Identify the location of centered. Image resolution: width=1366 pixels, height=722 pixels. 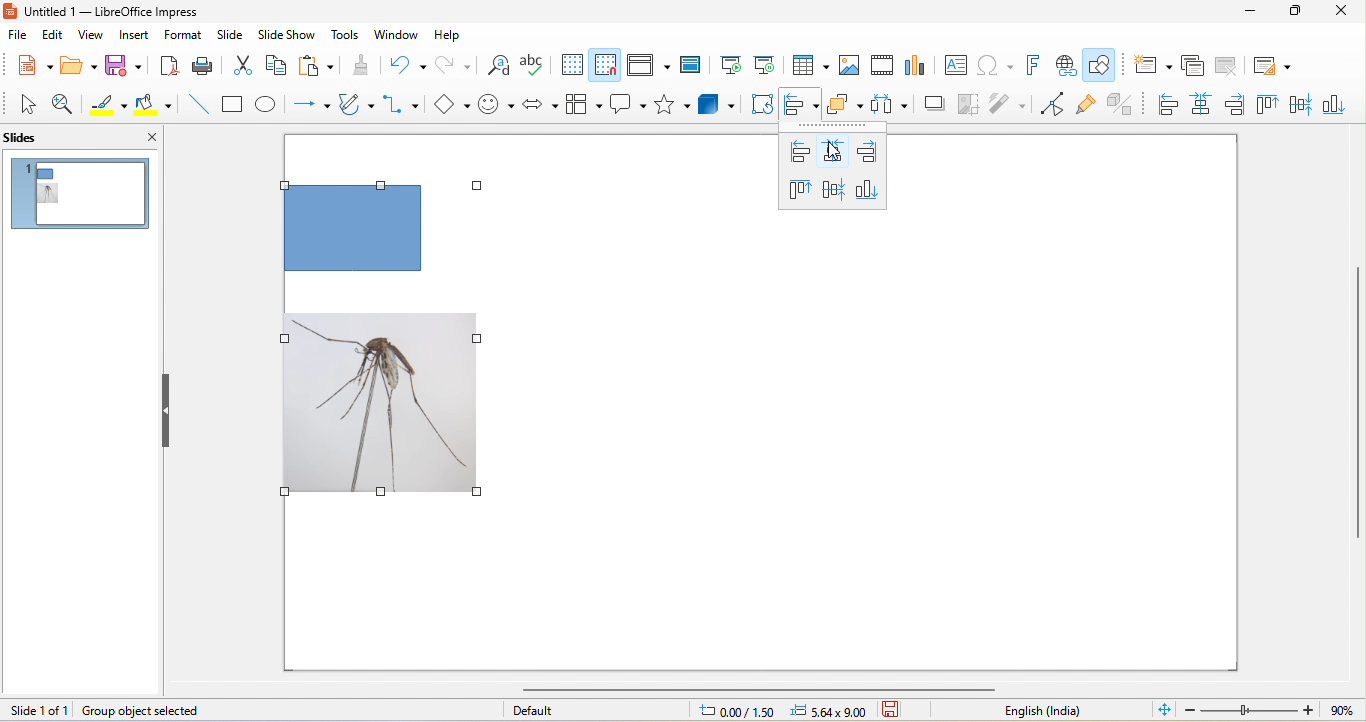
(834, 151).